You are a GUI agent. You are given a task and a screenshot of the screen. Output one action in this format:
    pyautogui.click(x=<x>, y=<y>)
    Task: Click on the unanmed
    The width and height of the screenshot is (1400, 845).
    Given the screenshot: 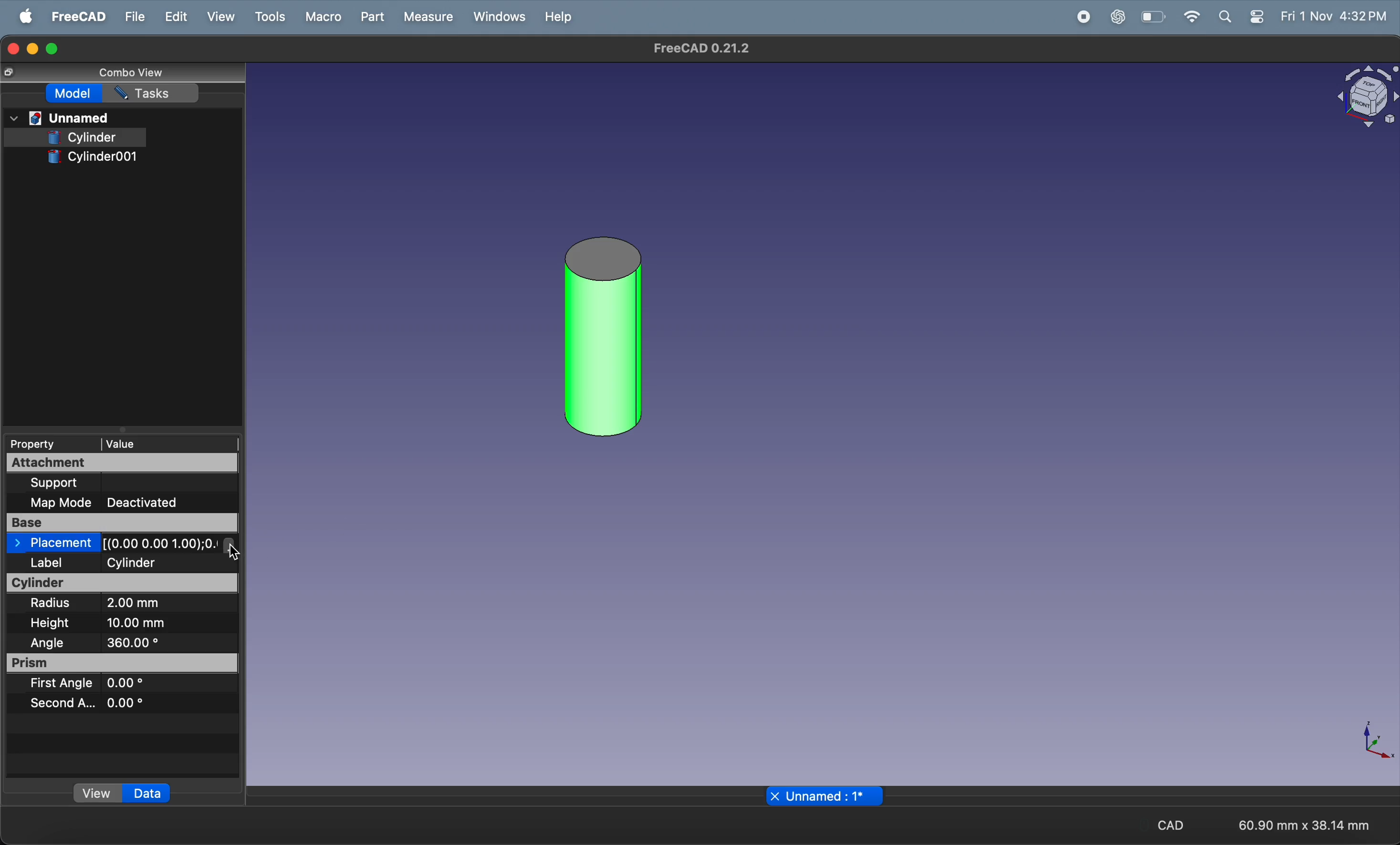 What is the action you would take?
    pyautogui.click(x=60, y=119)
    